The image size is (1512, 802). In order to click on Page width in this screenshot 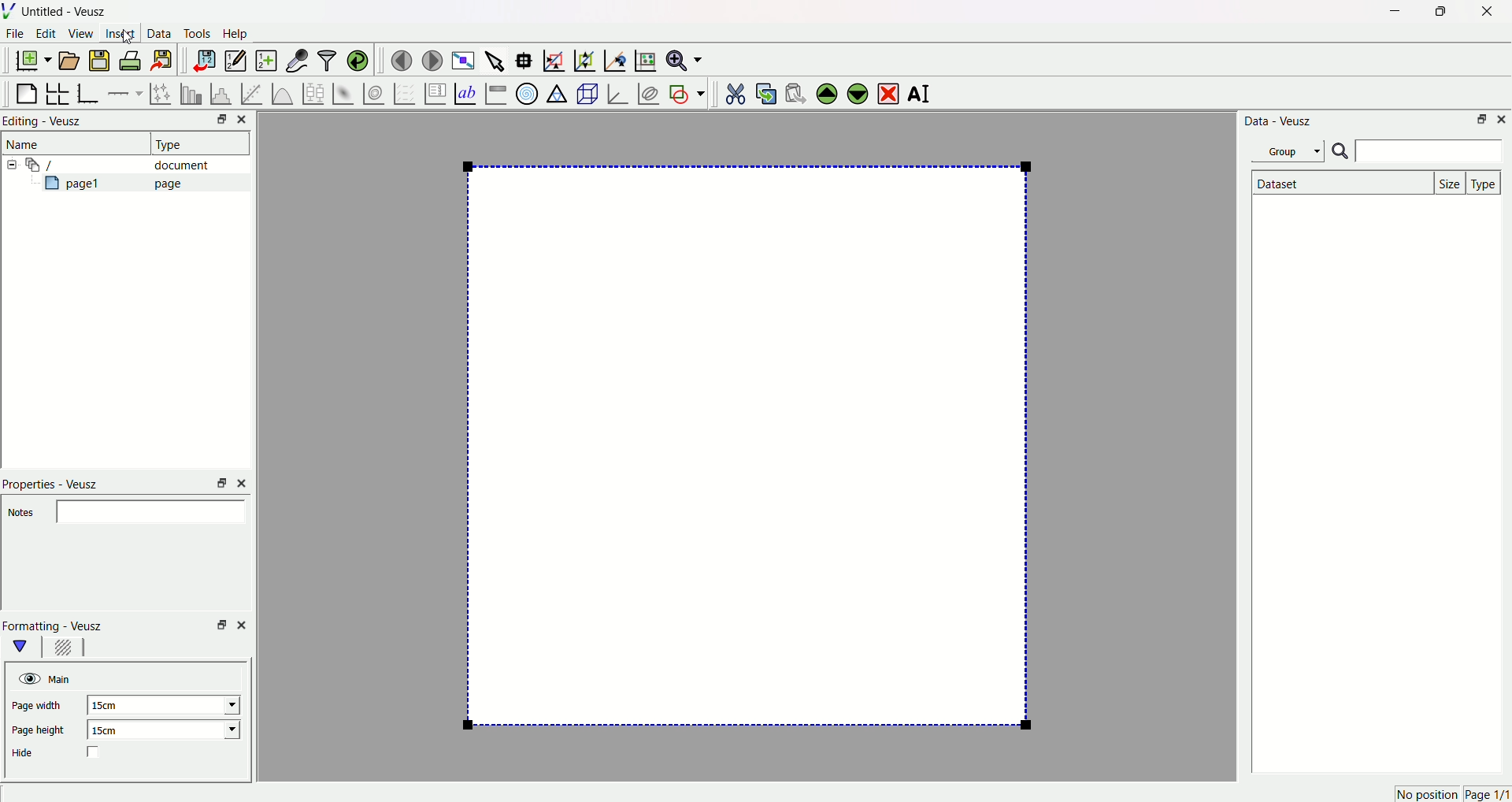, I will do `click(42, 707)`.